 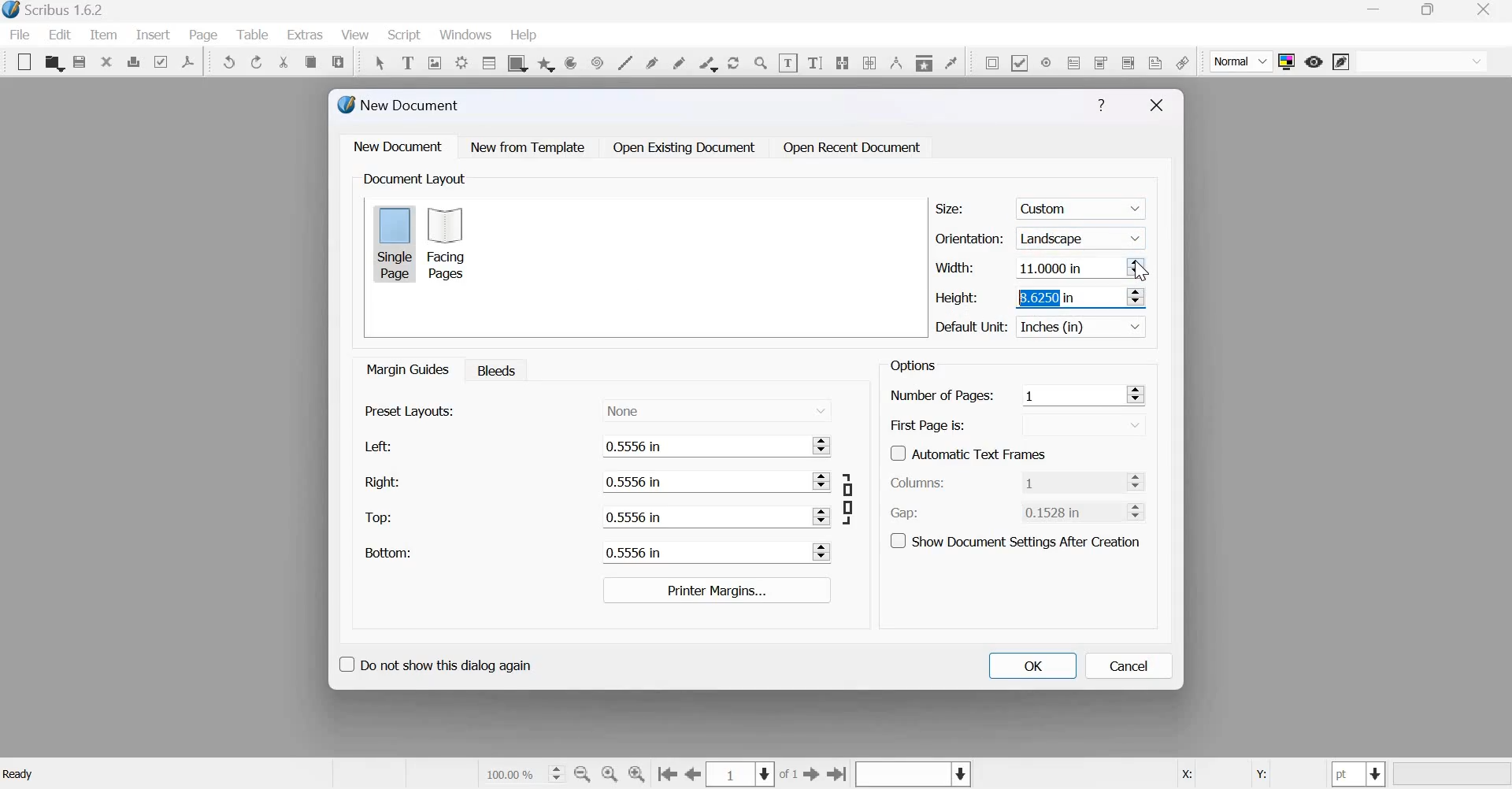 What do you see at coordinates (339, 60) in the screenshot?
I see `paste` at bounding box center [339, 60].